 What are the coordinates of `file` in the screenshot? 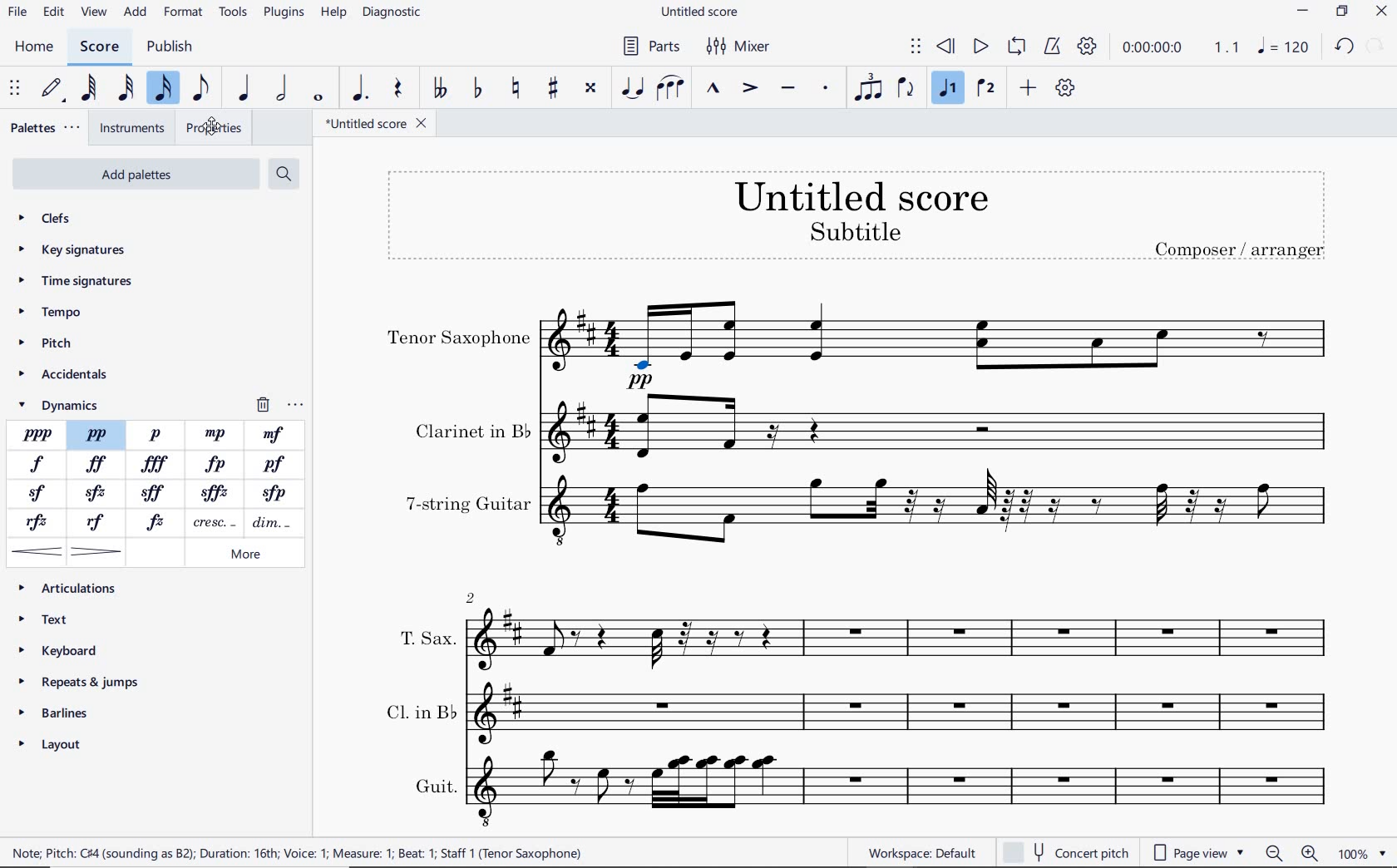 It's located at (20, 12).